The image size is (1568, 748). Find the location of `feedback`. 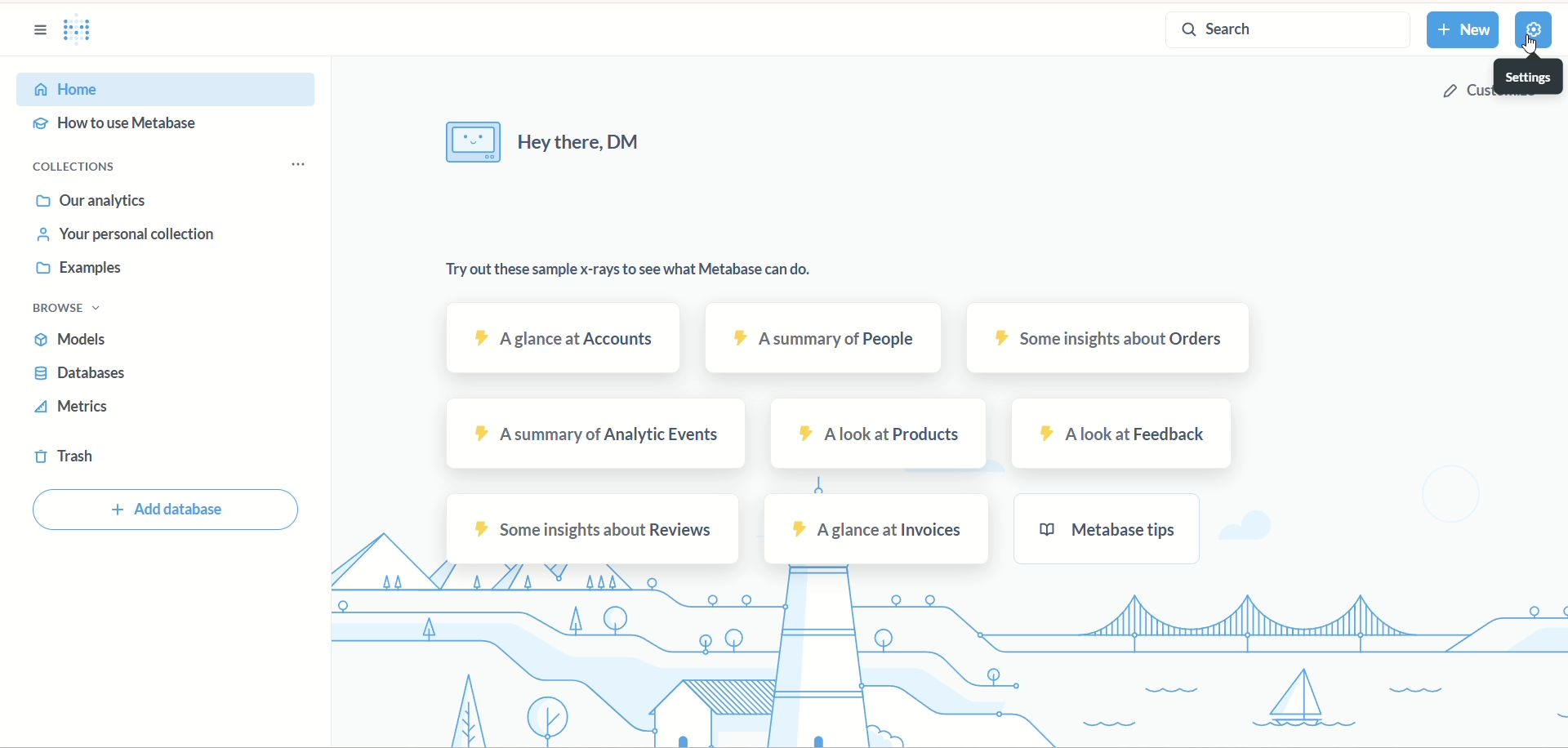

feedback is located at coordinates (1124, 435).